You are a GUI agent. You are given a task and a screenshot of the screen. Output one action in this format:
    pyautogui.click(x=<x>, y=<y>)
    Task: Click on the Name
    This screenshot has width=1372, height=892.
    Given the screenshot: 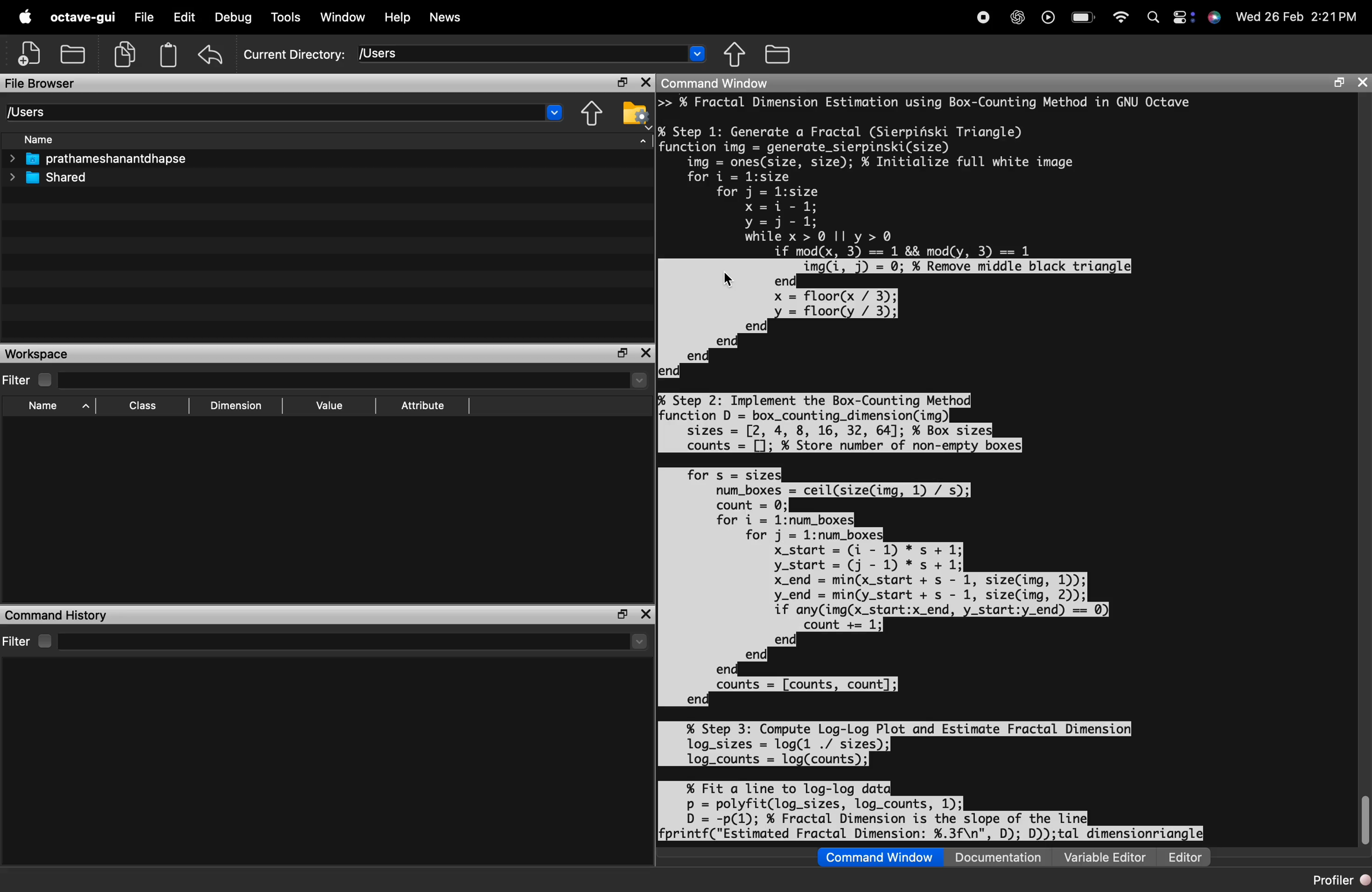 What is the action you would take?
    pyautogui.click(x=43, y=407)
    